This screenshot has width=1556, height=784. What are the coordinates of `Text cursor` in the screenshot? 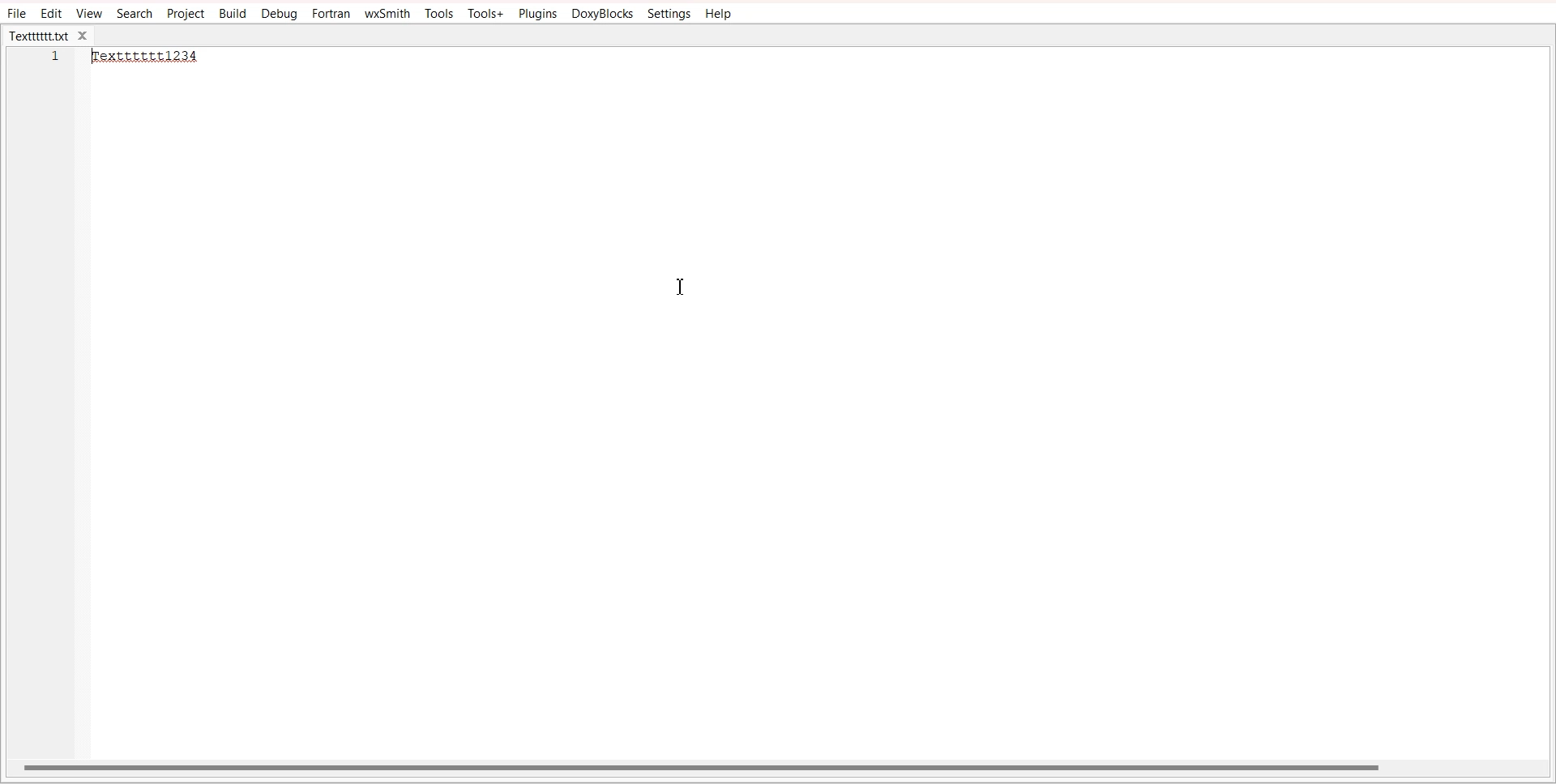 It's located at (683, 285).